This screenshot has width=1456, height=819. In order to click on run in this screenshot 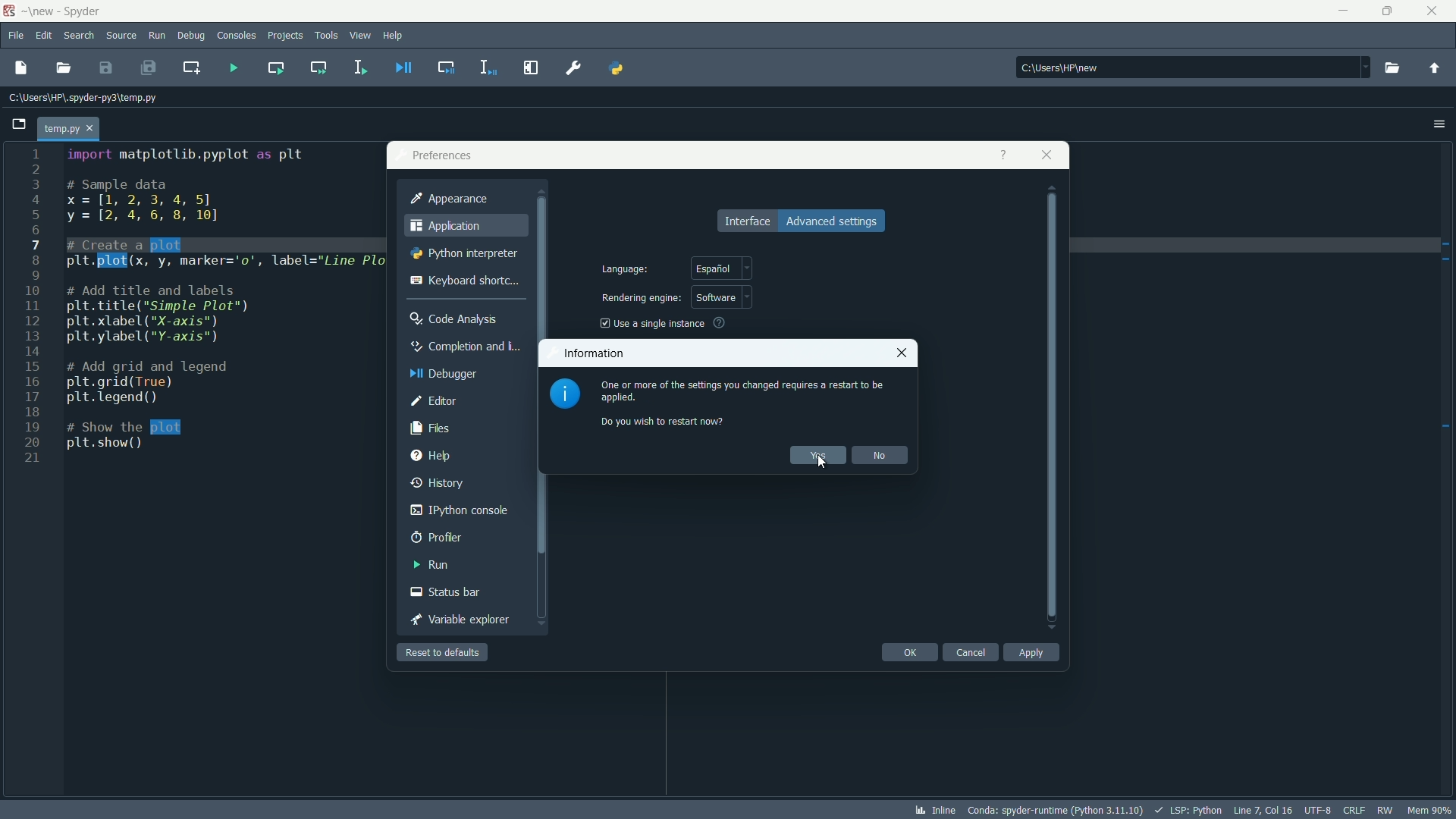, I will do `click(430, 564)`.